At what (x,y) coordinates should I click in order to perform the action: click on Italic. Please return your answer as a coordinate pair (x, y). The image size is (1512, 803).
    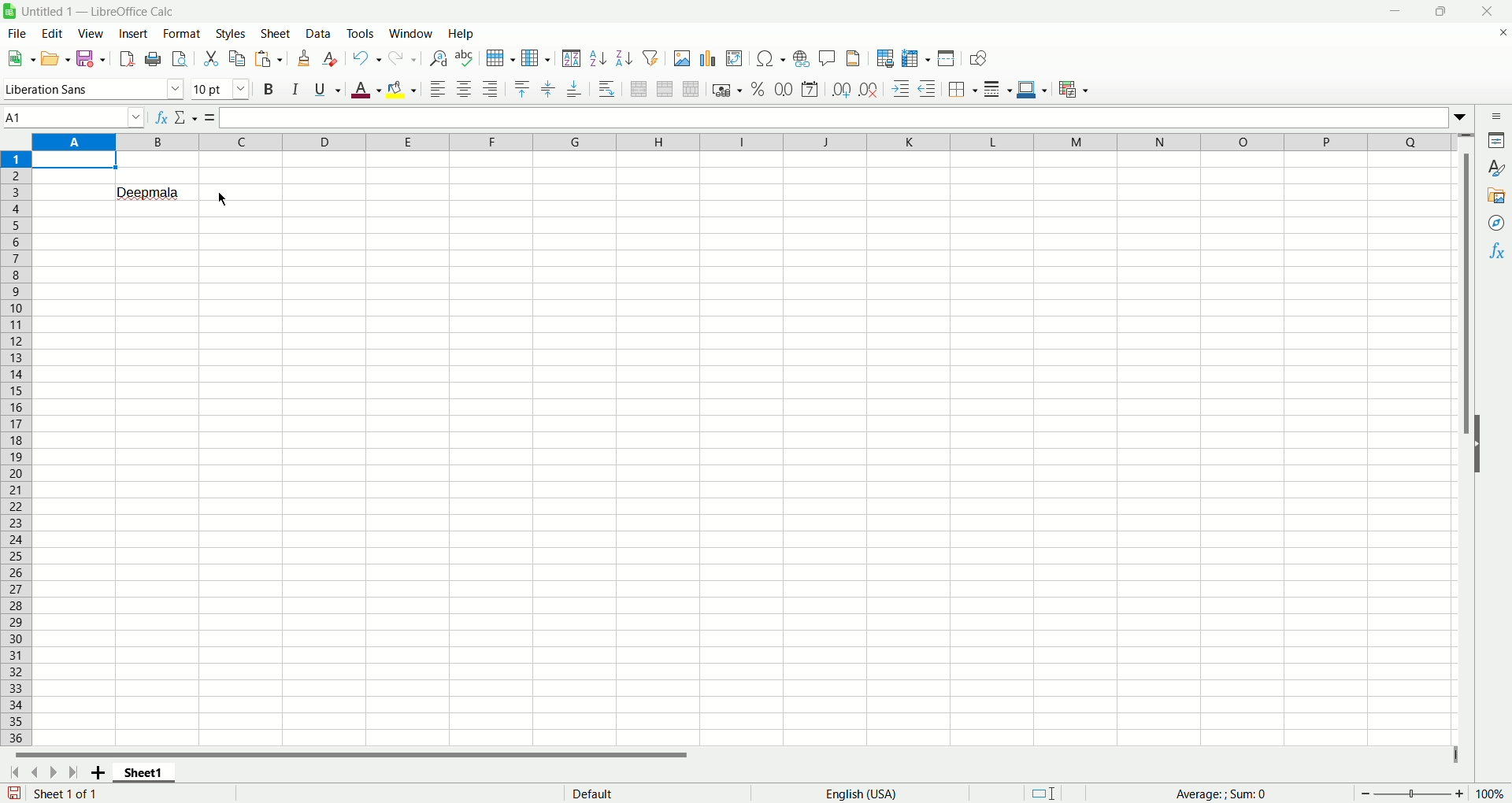
    Looking at the image, I should click on (297, 87).